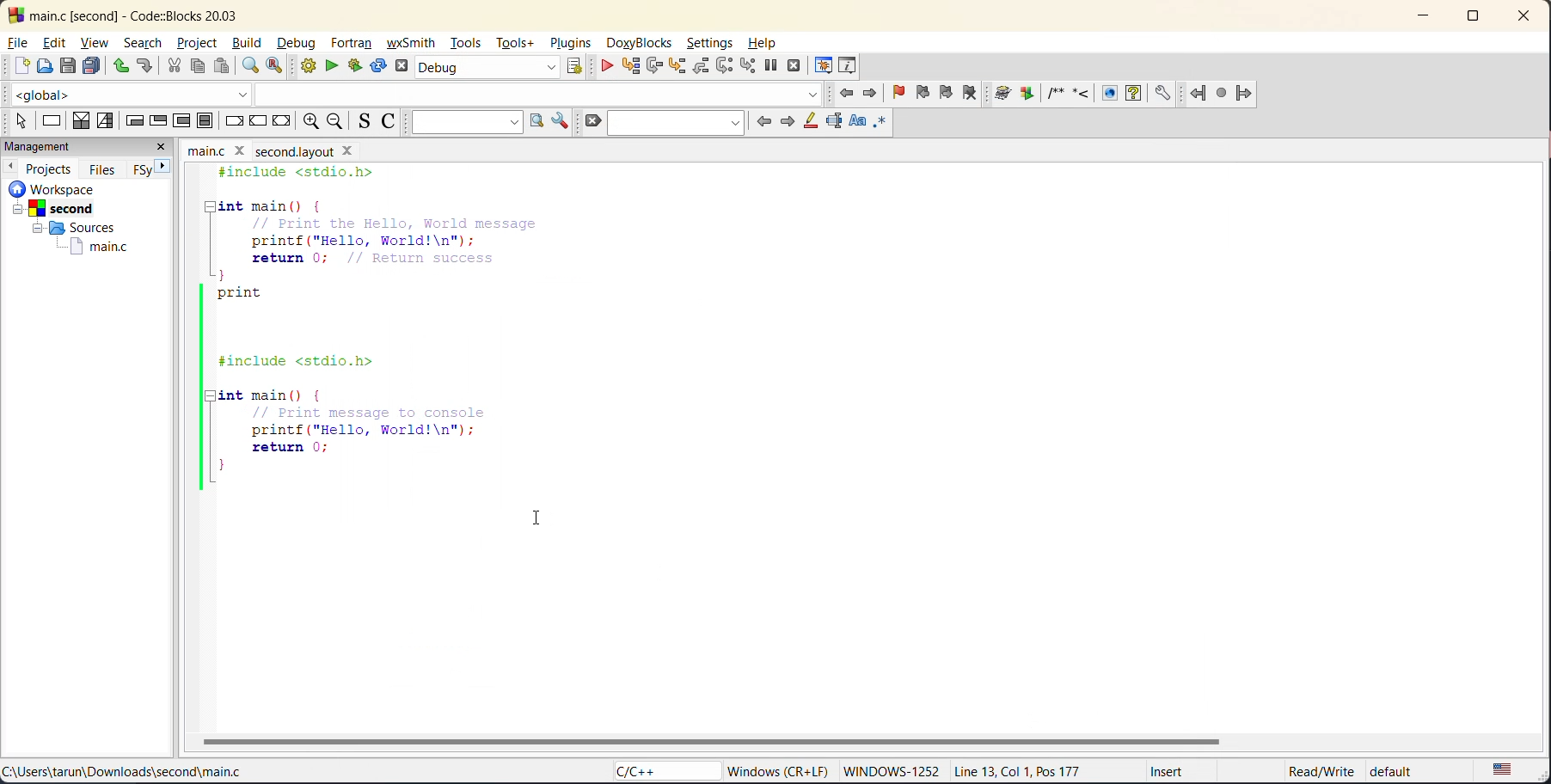 This screenshot has width=1551, height=784. Describe the element at coordinates (788, 119) in the screenshot. I see `next` at that location.